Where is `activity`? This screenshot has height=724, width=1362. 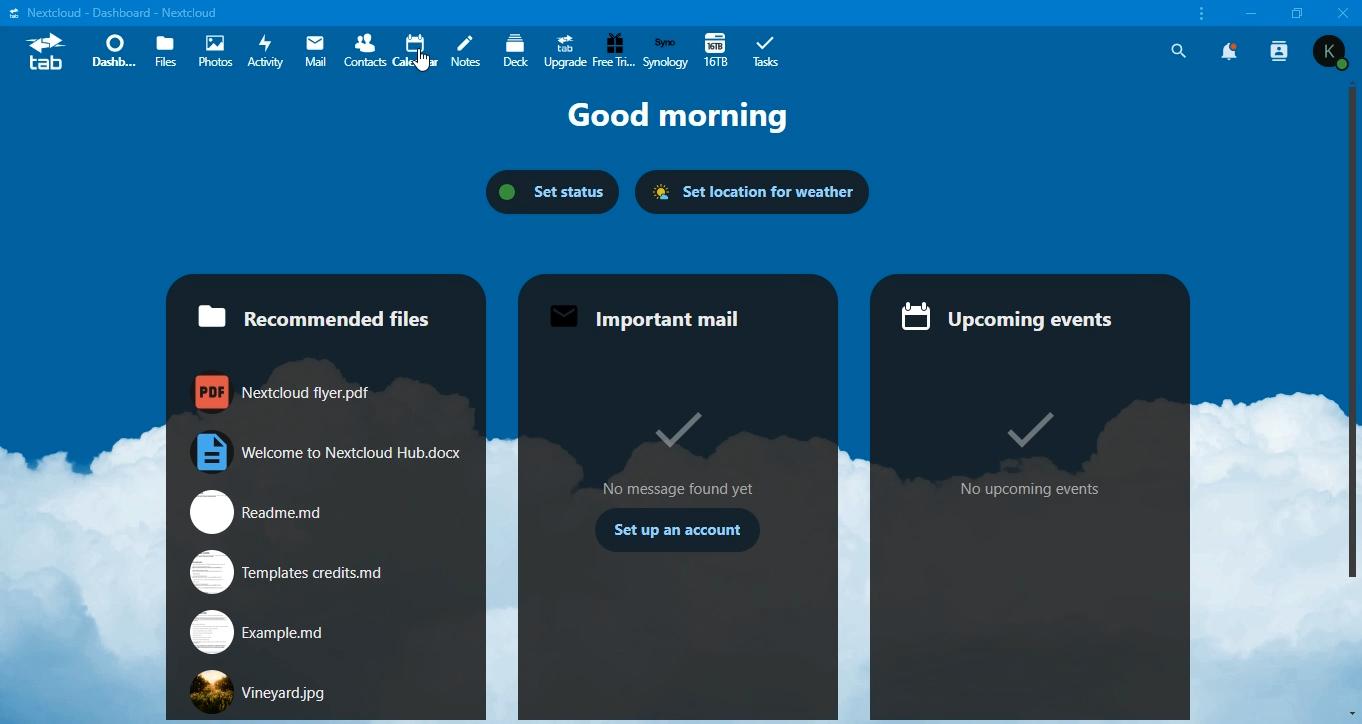
activity is located at coordinates (264, 51).